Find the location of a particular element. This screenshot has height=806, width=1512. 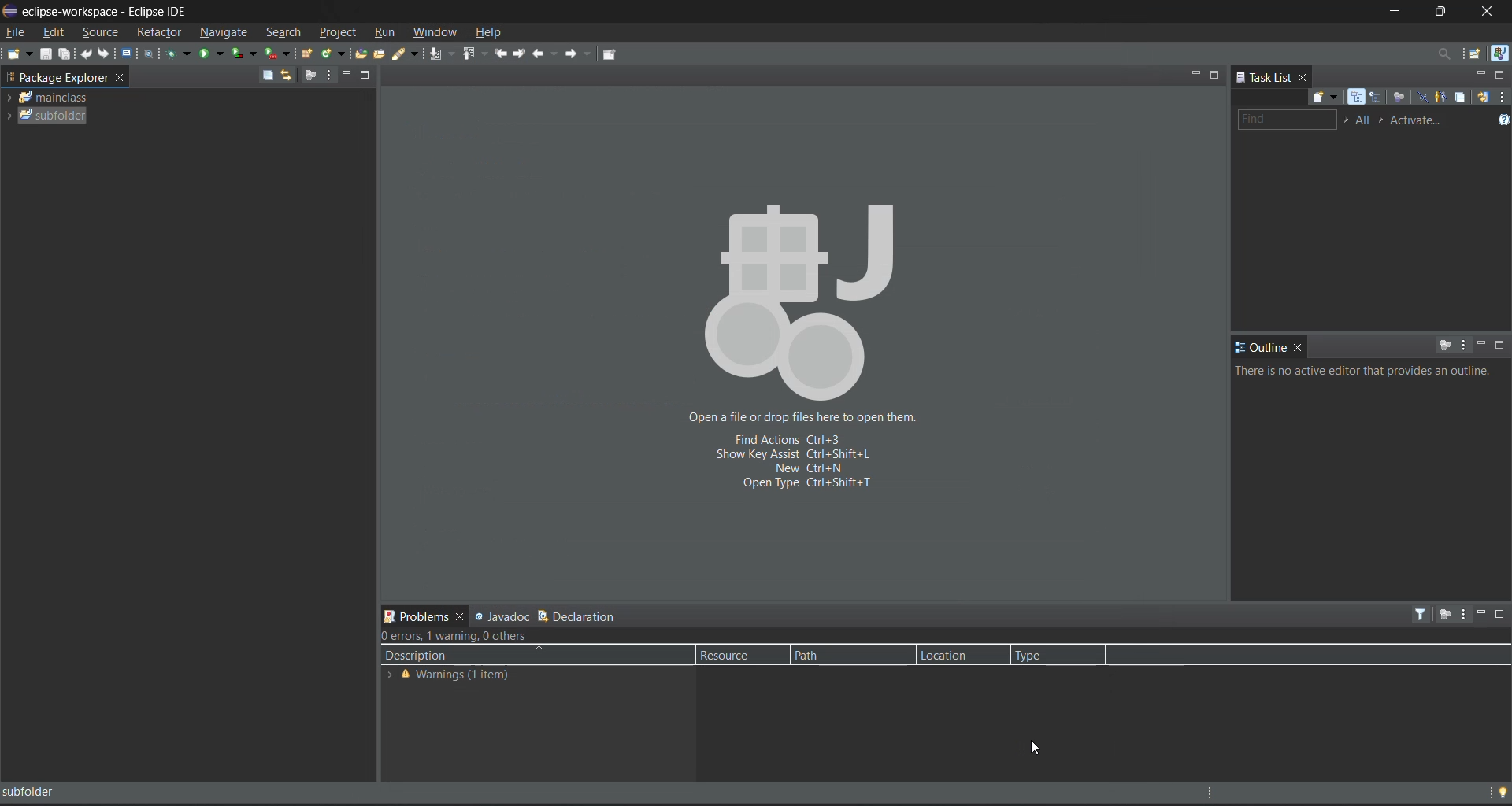

save all is located at coordinates (68, 55).